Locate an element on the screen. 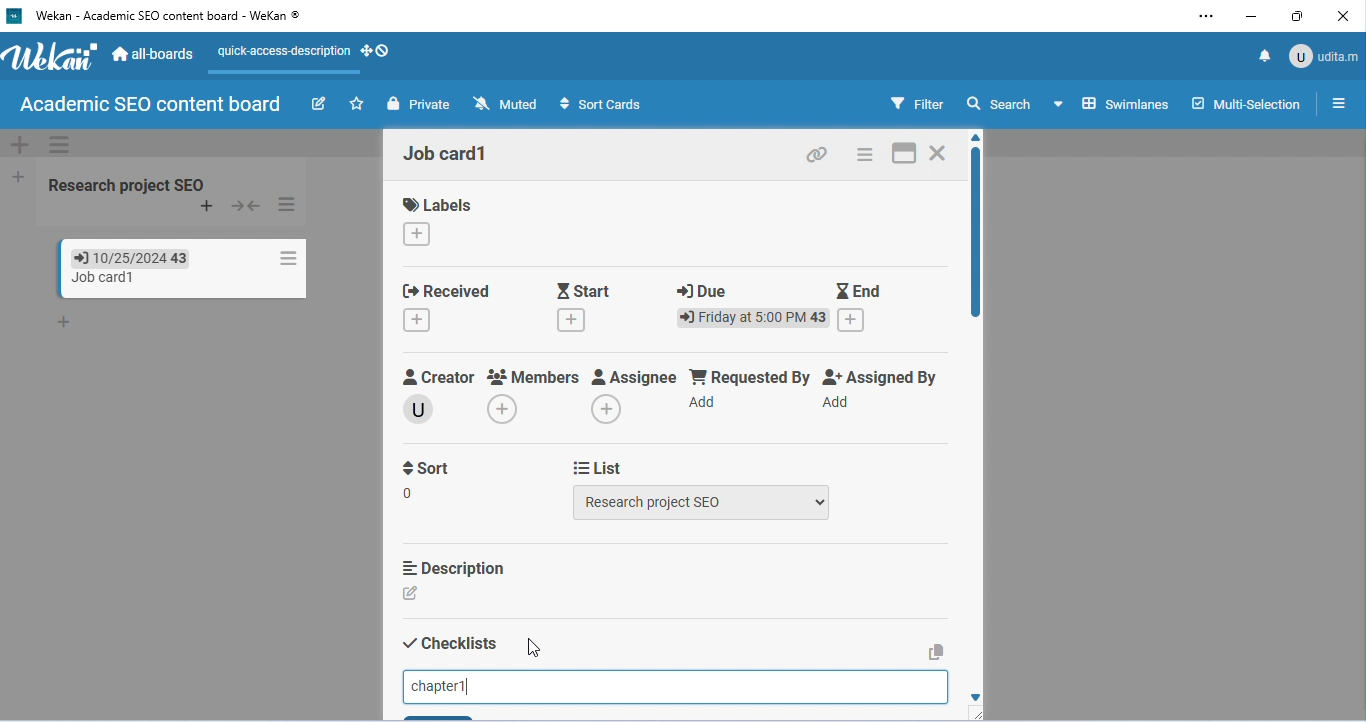  add assignee name is located at coordinates (608, 409).